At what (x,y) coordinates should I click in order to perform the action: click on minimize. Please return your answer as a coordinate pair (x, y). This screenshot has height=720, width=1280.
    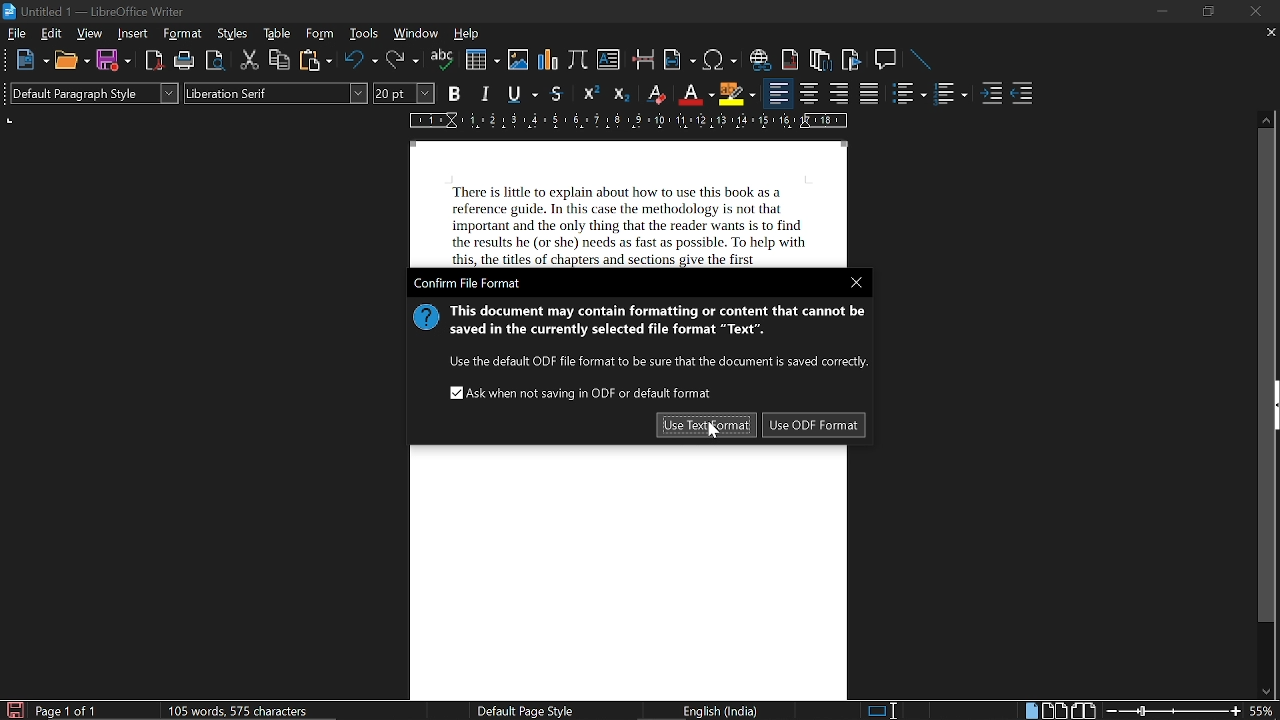
    Looking at the image, I should click on (1160, 12).